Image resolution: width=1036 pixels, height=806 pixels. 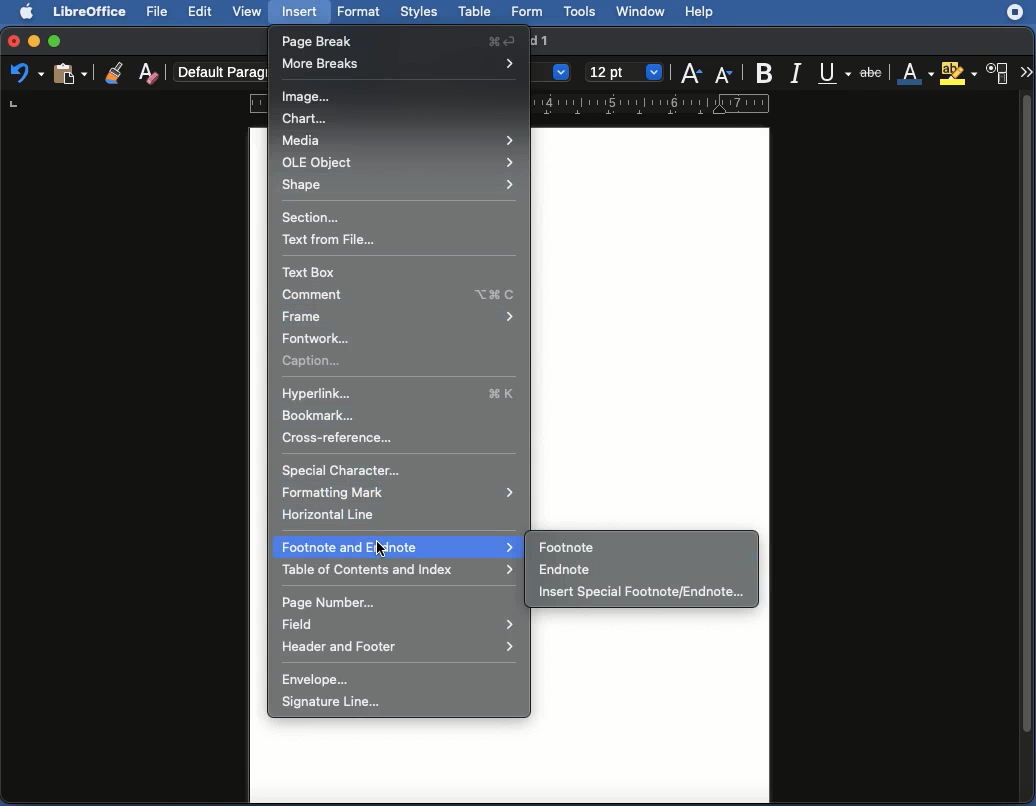 What do you see at coordinates (403, 184) in the screenshot?
I see `Shape` at bounding box center [403, 184].